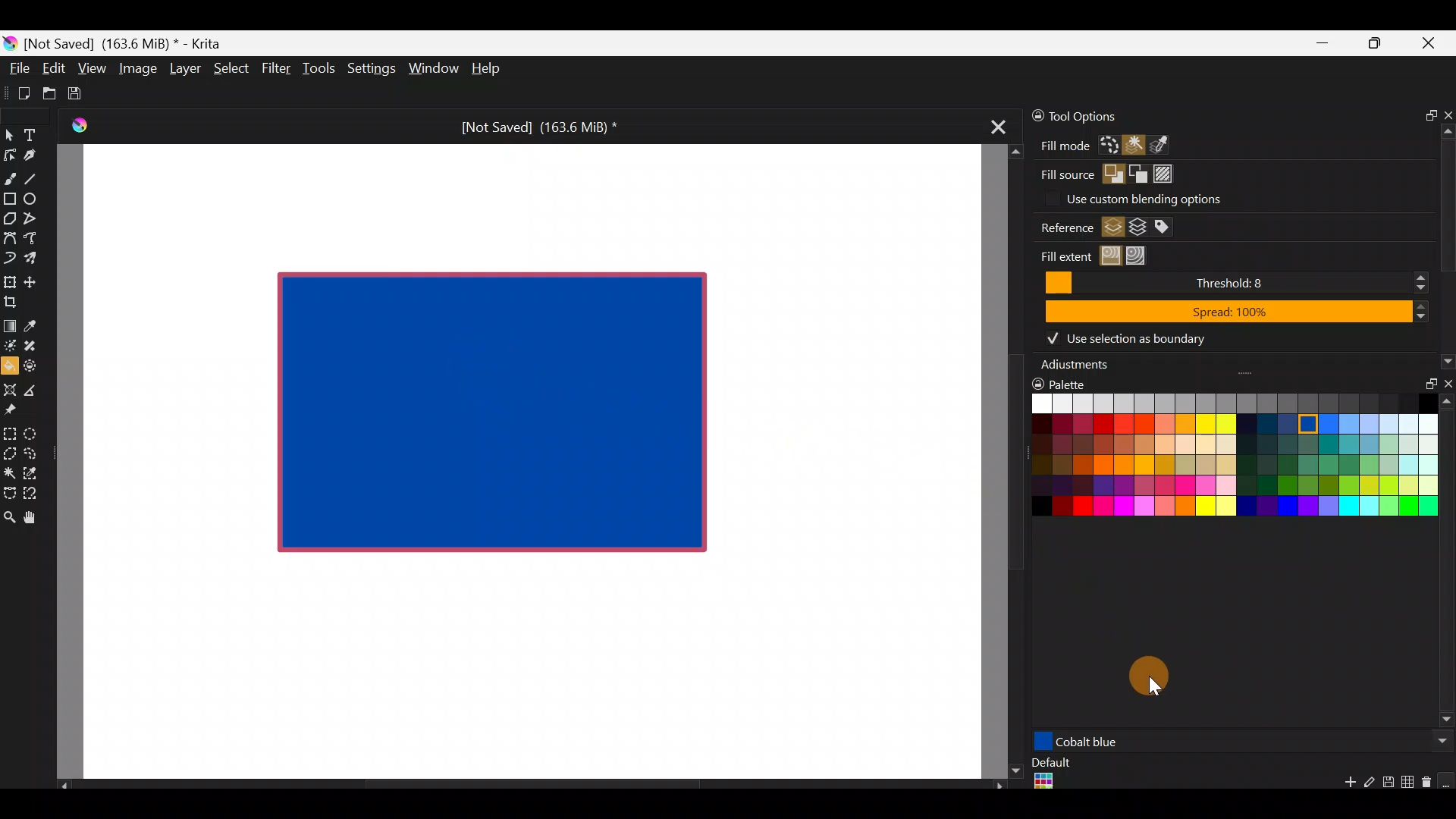  What do you see at coordinates (1164, 170) in the screenshot?
I see `Pattern` at bounding box center [1164, 170].